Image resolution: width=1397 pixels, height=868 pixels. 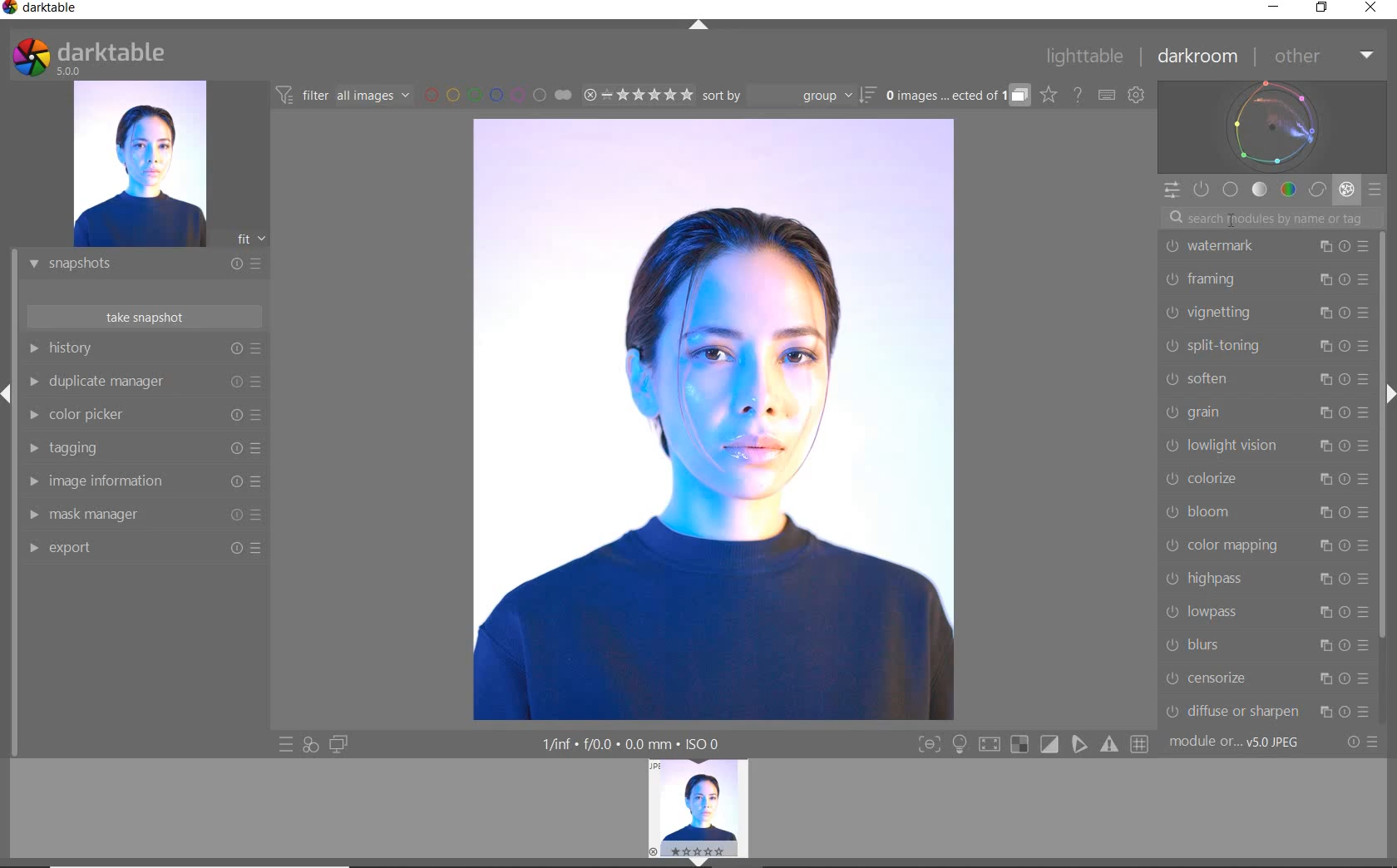 What do you see at coordinates (1272, 126) in the screenshot?
I see `WAVEFORM` at bounding box center [1272, 126].